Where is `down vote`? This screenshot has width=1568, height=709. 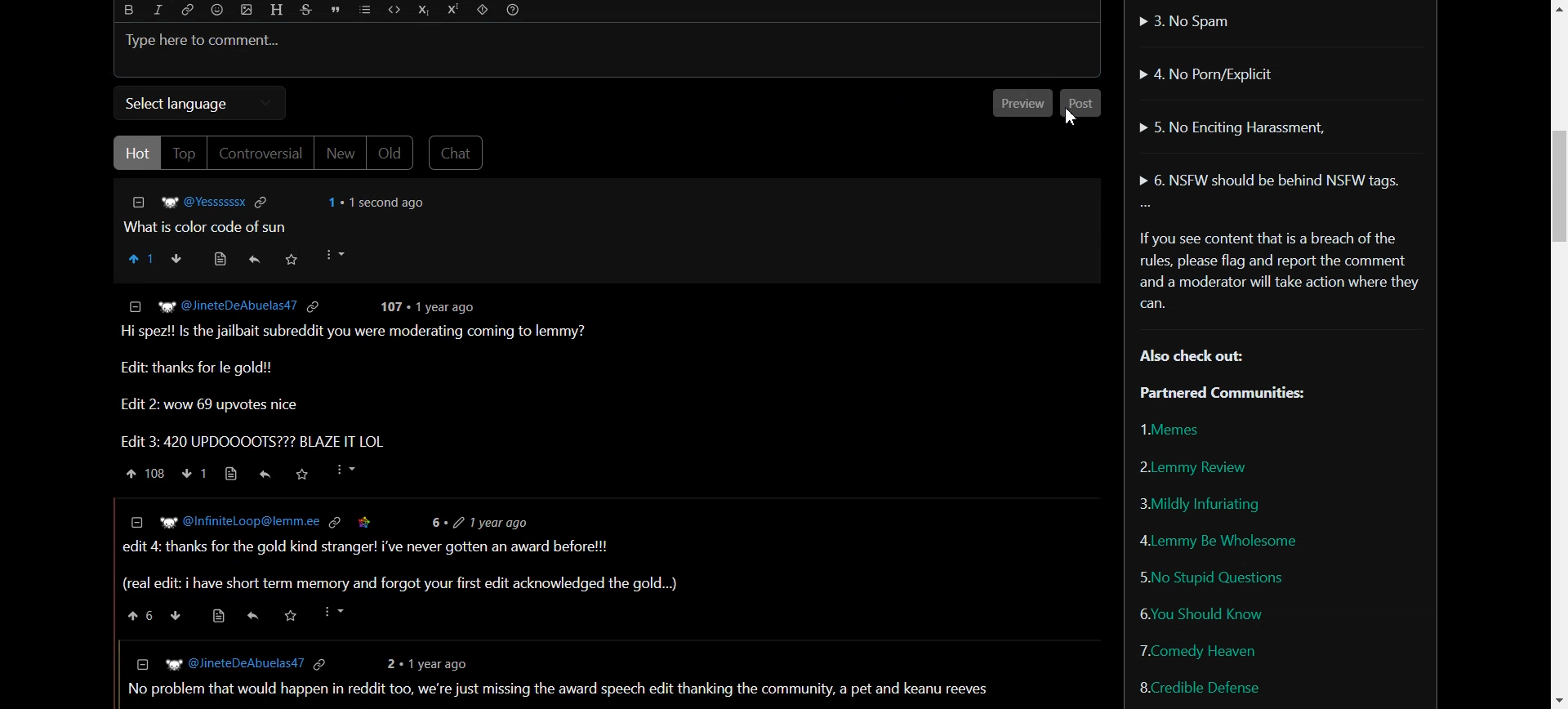
down vote is located at coordinates (194, 472).